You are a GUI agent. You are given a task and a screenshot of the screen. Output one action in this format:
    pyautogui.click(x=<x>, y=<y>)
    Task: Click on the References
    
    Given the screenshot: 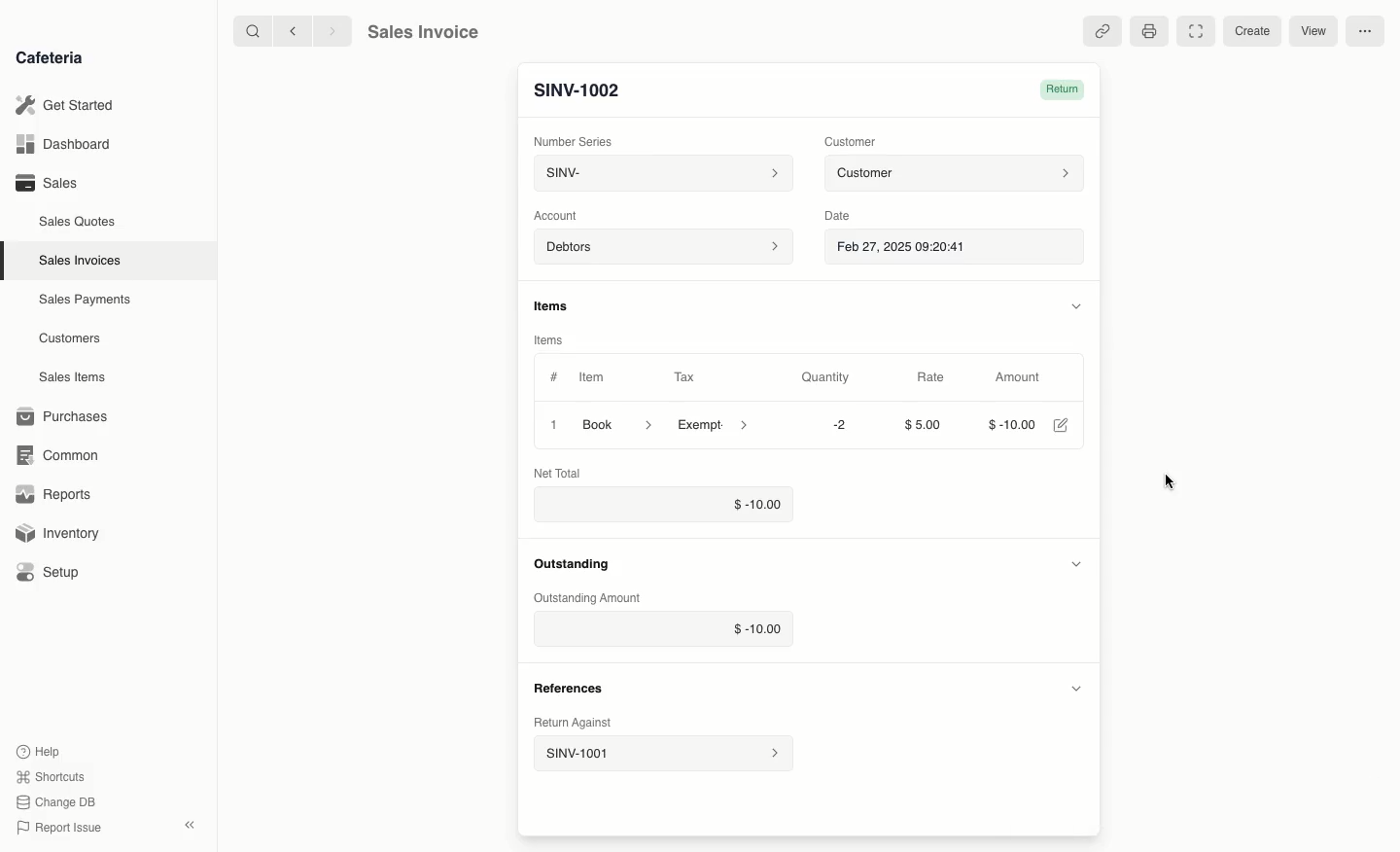 What is the action you would take?
    pyautogui.click(x=567, y=688)
    